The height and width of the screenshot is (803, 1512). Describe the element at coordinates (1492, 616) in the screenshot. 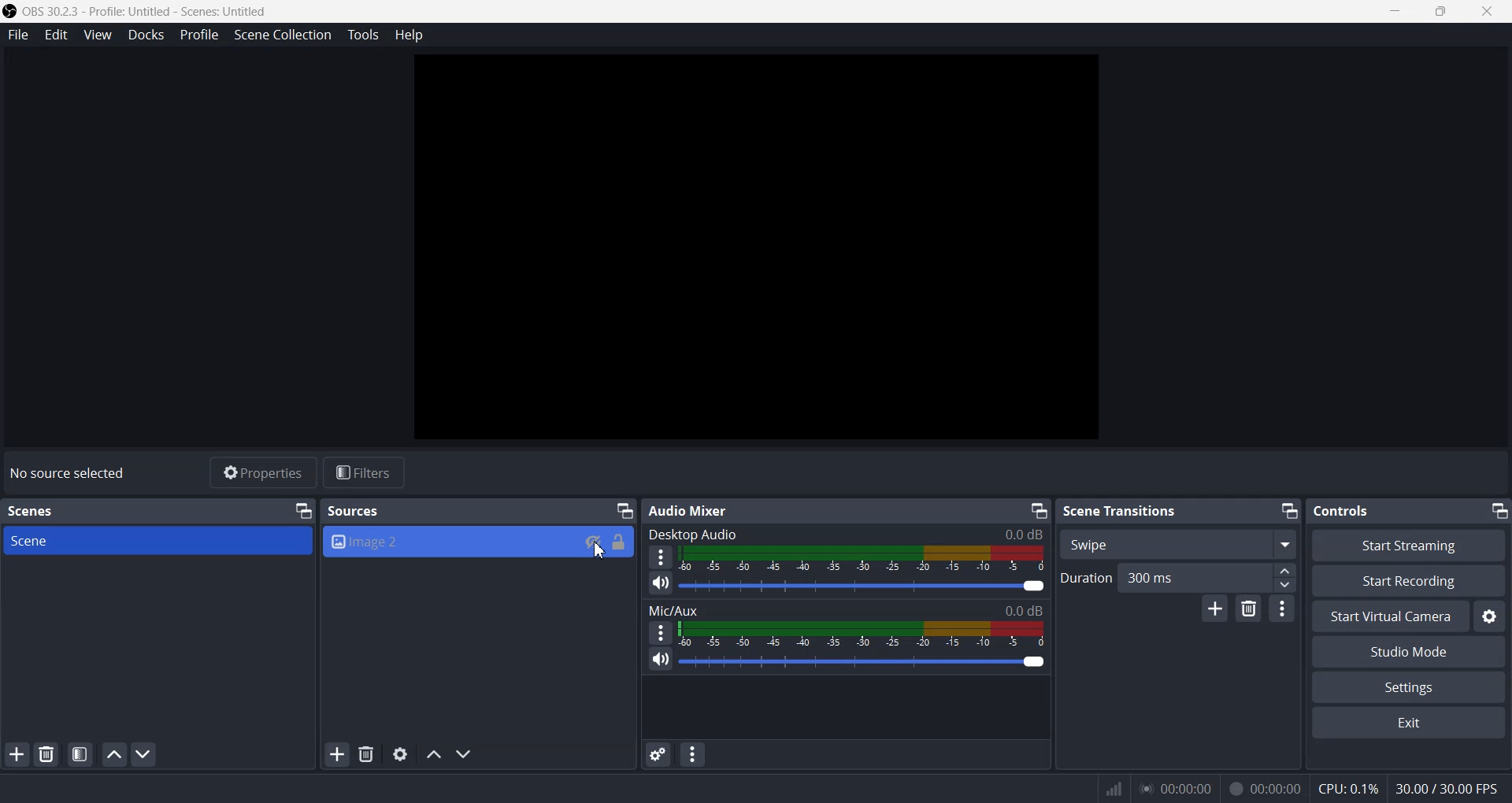

I see `Settings` at that location.